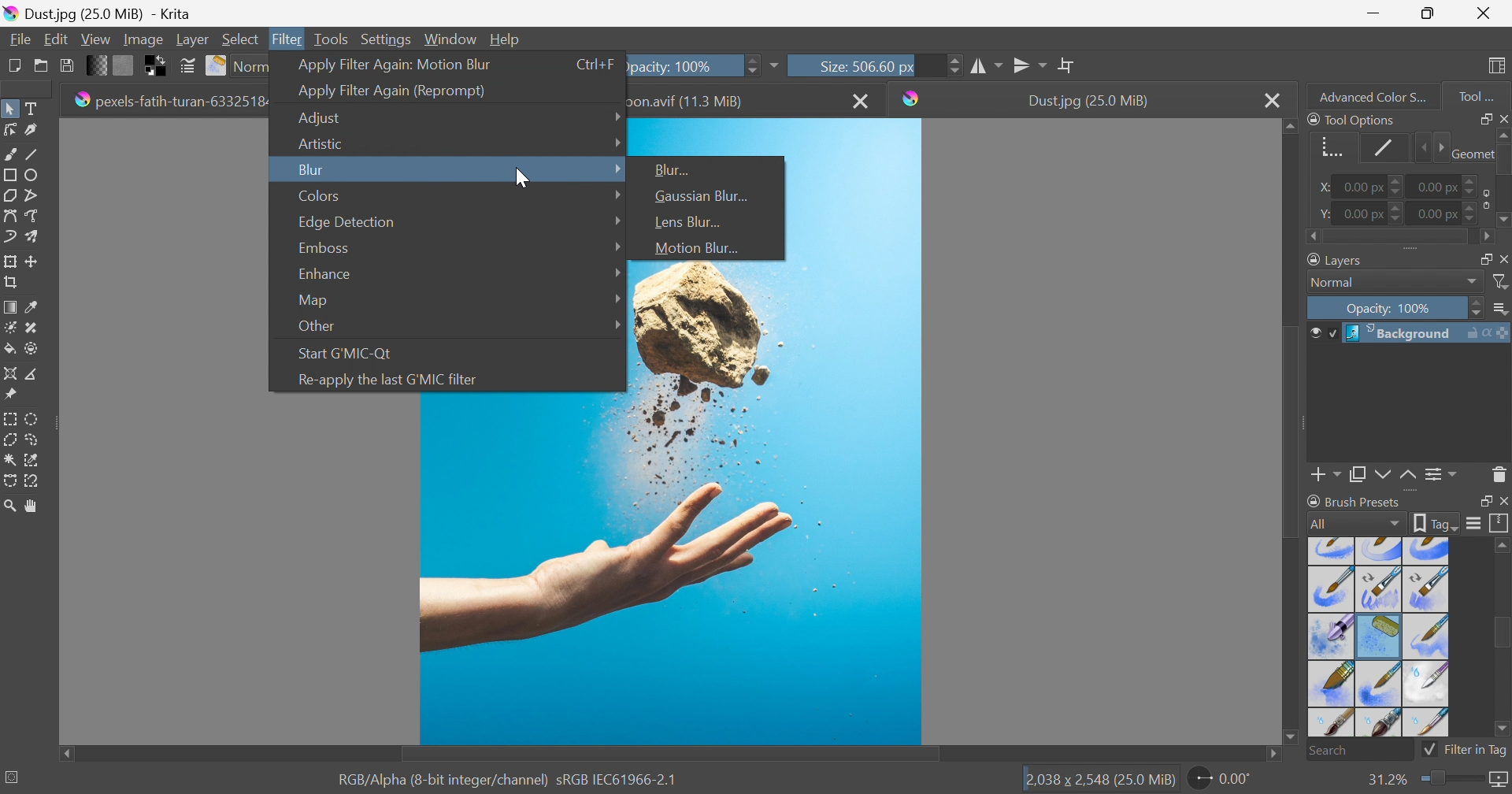  What do you see at coordinates (36, 174) in the screenshot?
I see `Ellipse tool` at bounding box center [36, 174].